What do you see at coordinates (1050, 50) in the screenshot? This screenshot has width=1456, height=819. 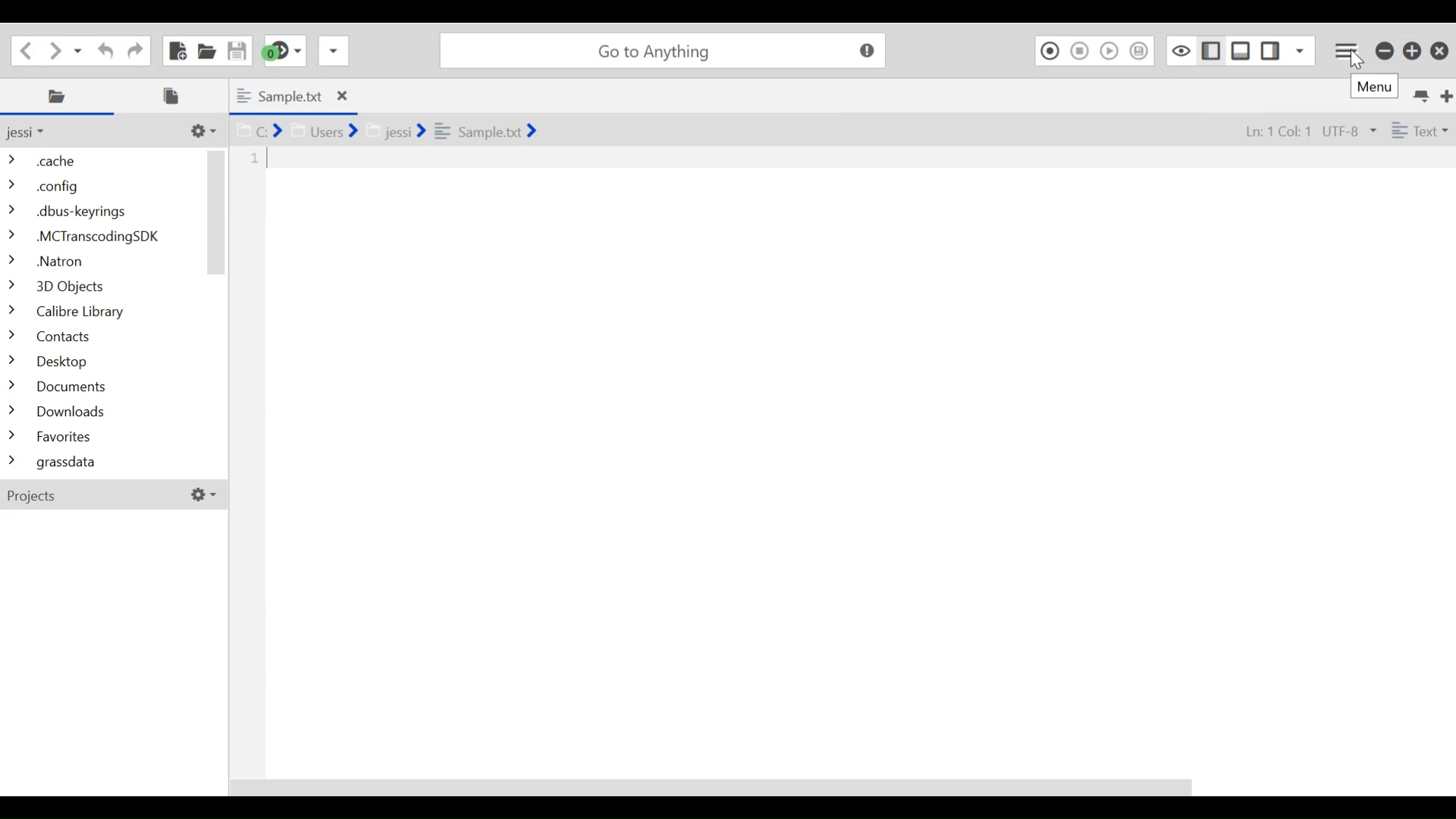 I see `Record Macro` at bounding box center [1050, 50].